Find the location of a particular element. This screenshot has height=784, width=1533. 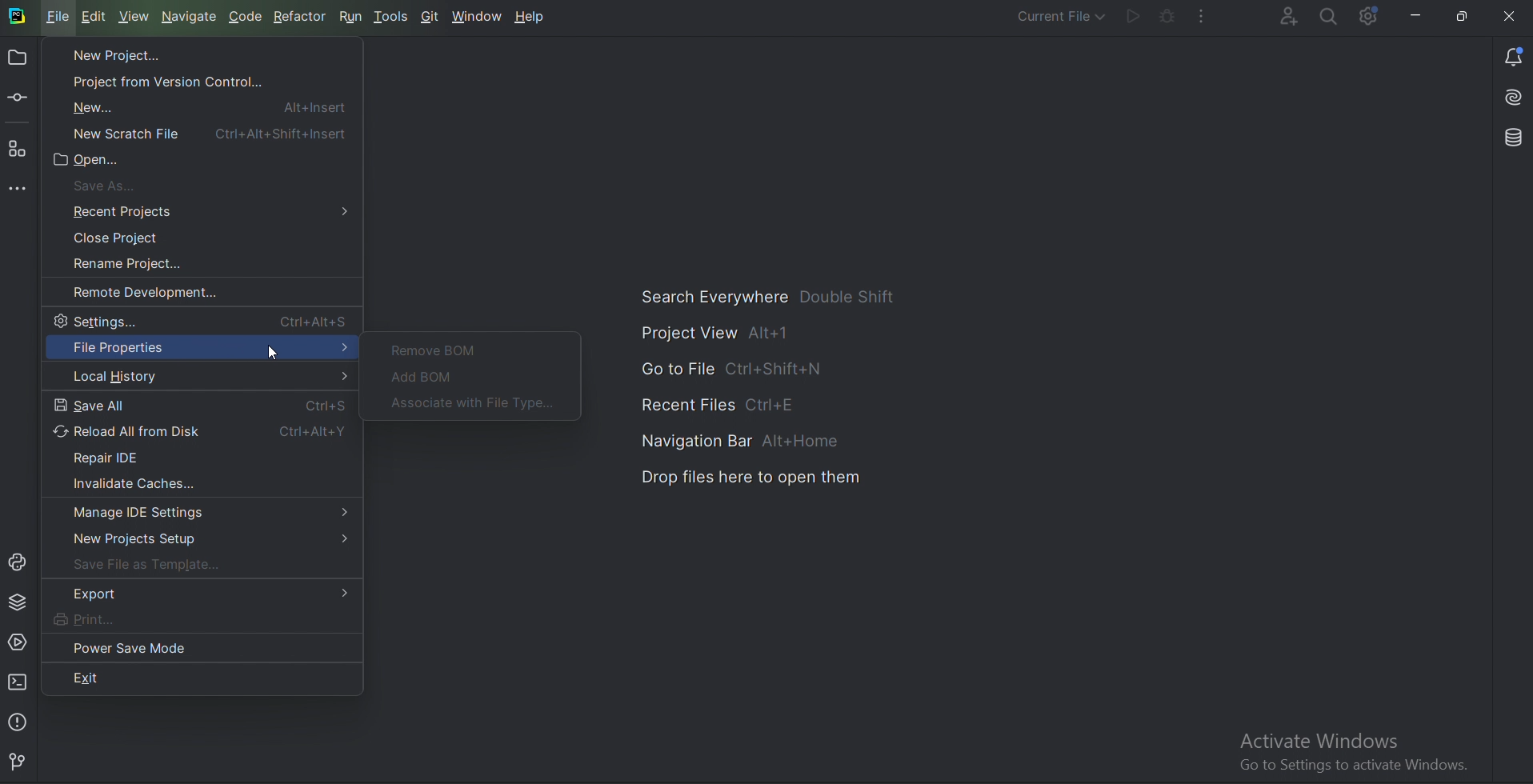

New Projects Setup is located at coordinates (206, 541).